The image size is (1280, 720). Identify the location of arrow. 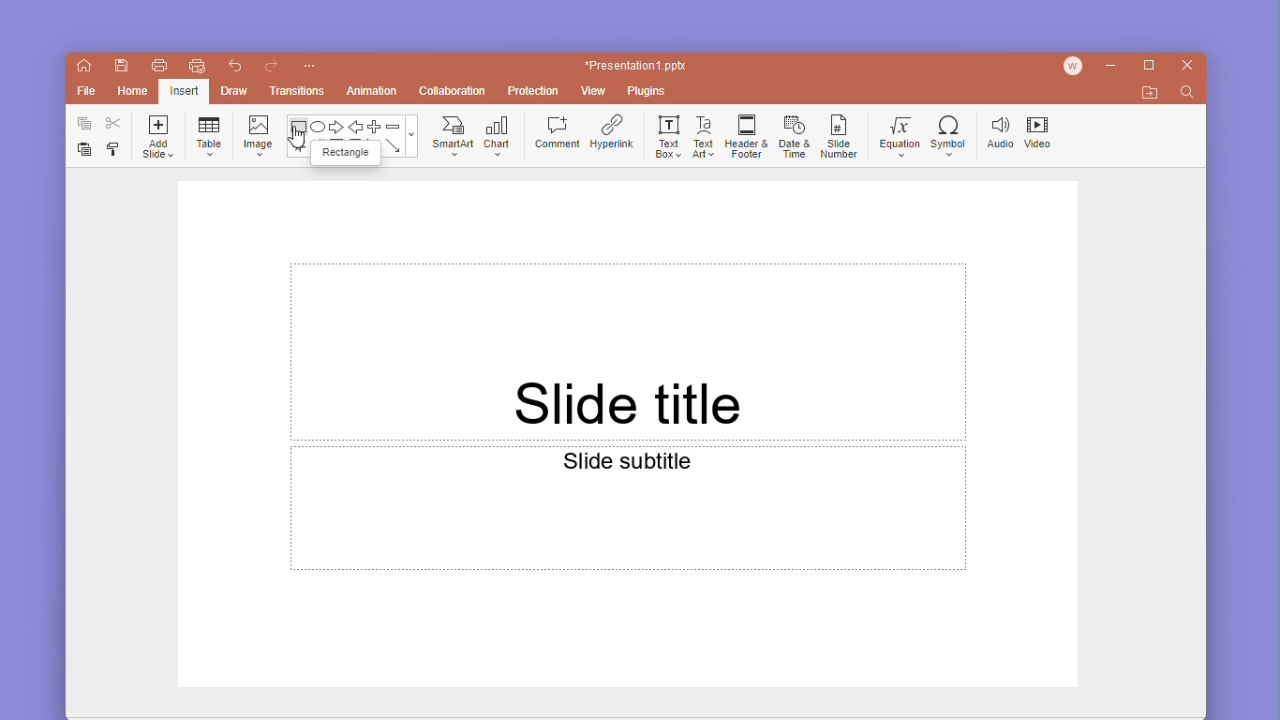
(395, 149).